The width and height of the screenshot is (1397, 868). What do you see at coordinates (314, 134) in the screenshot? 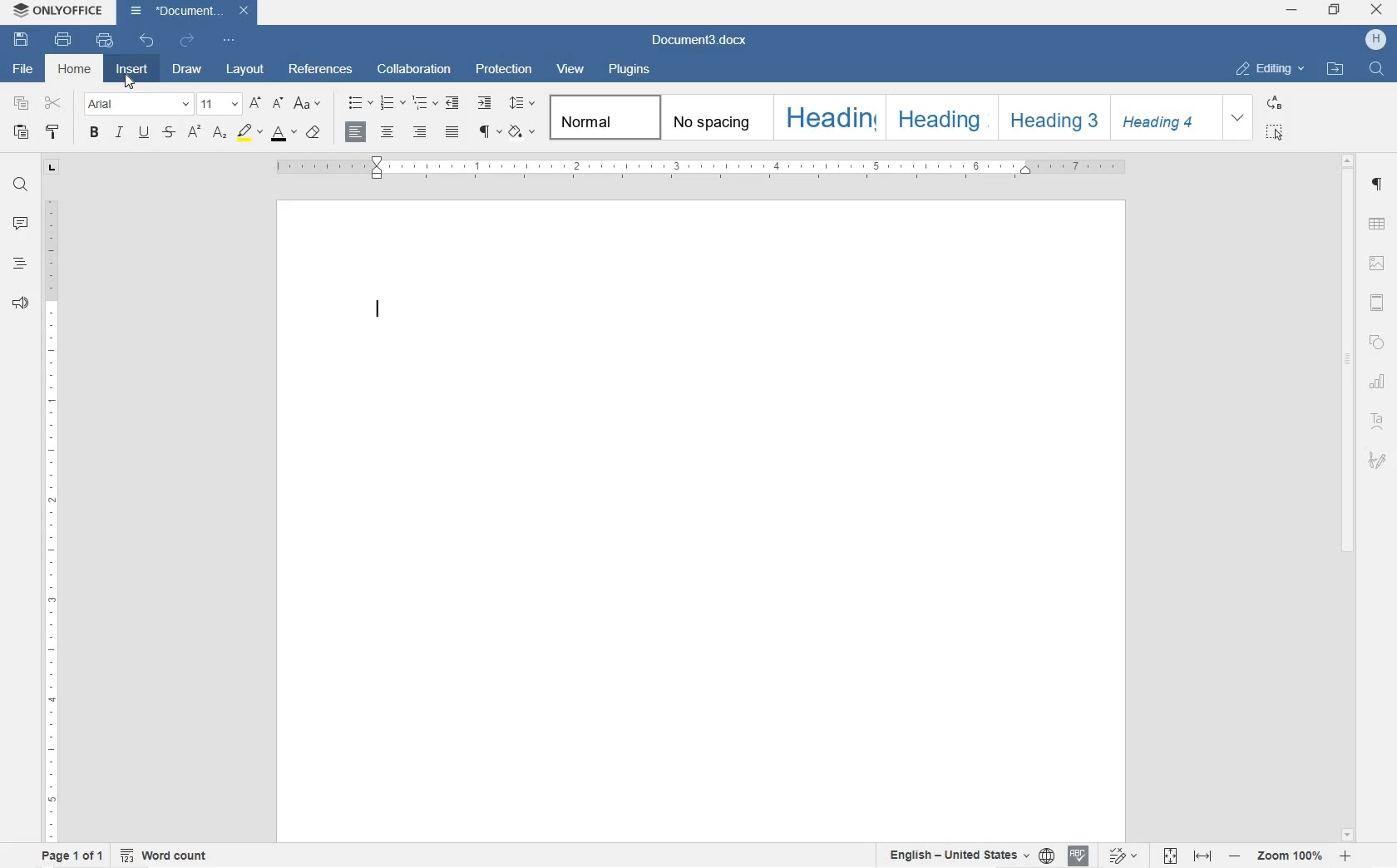
I see `CLEAR STYLE` at bounding box center [314, 134].